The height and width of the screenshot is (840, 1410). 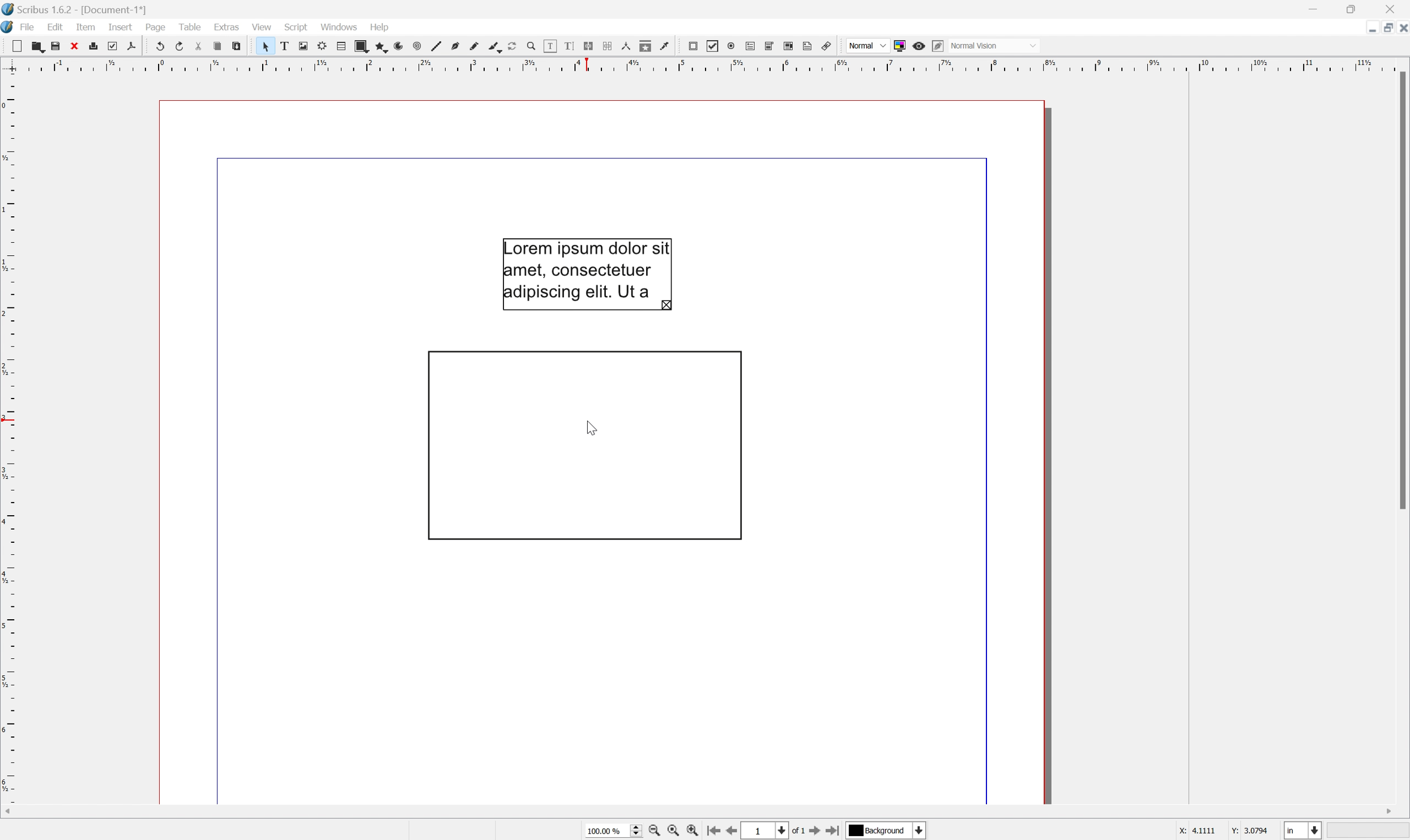 I want to click on Windows, so click(x=342, y=28).